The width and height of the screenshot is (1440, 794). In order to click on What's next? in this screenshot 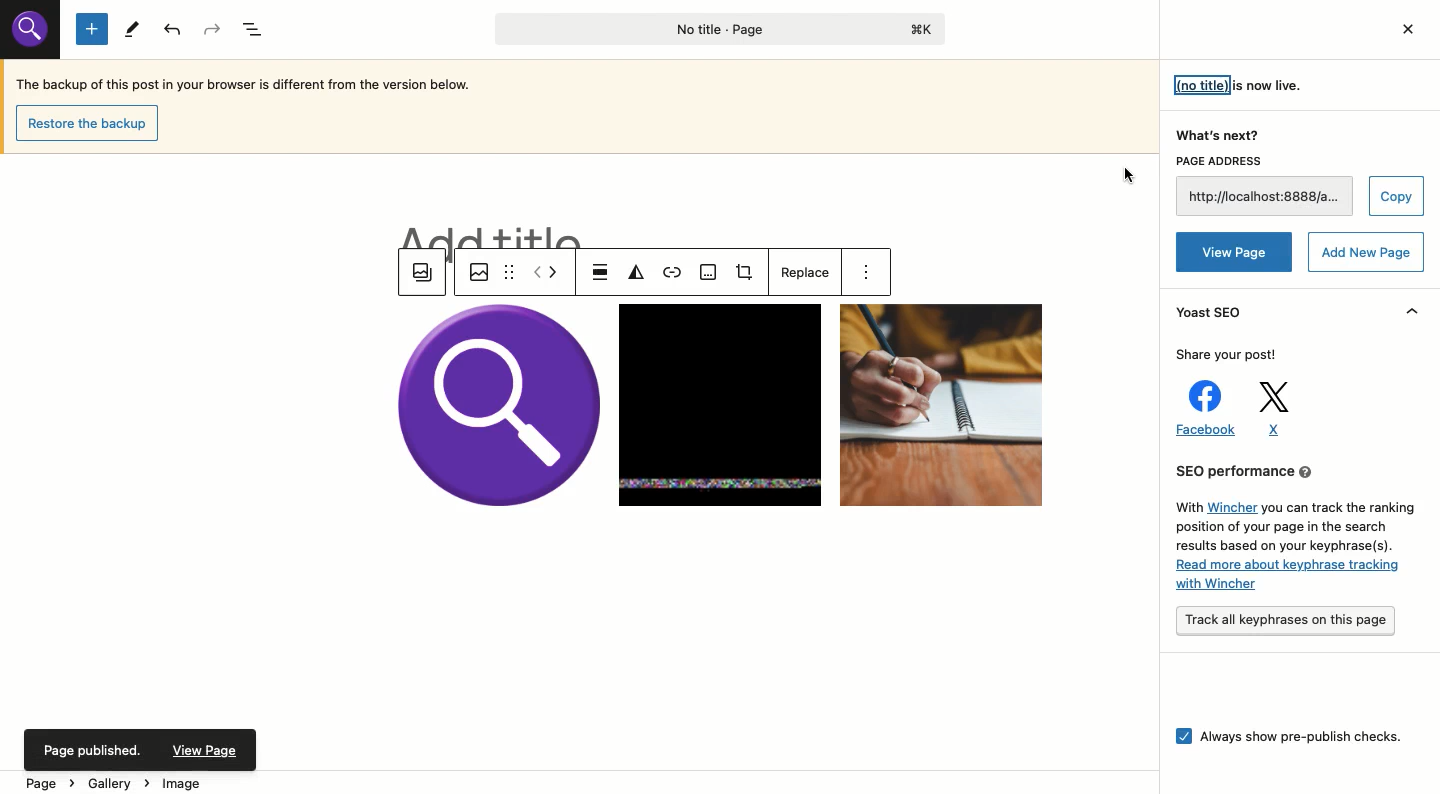, I will do `click(1218, 137)`.